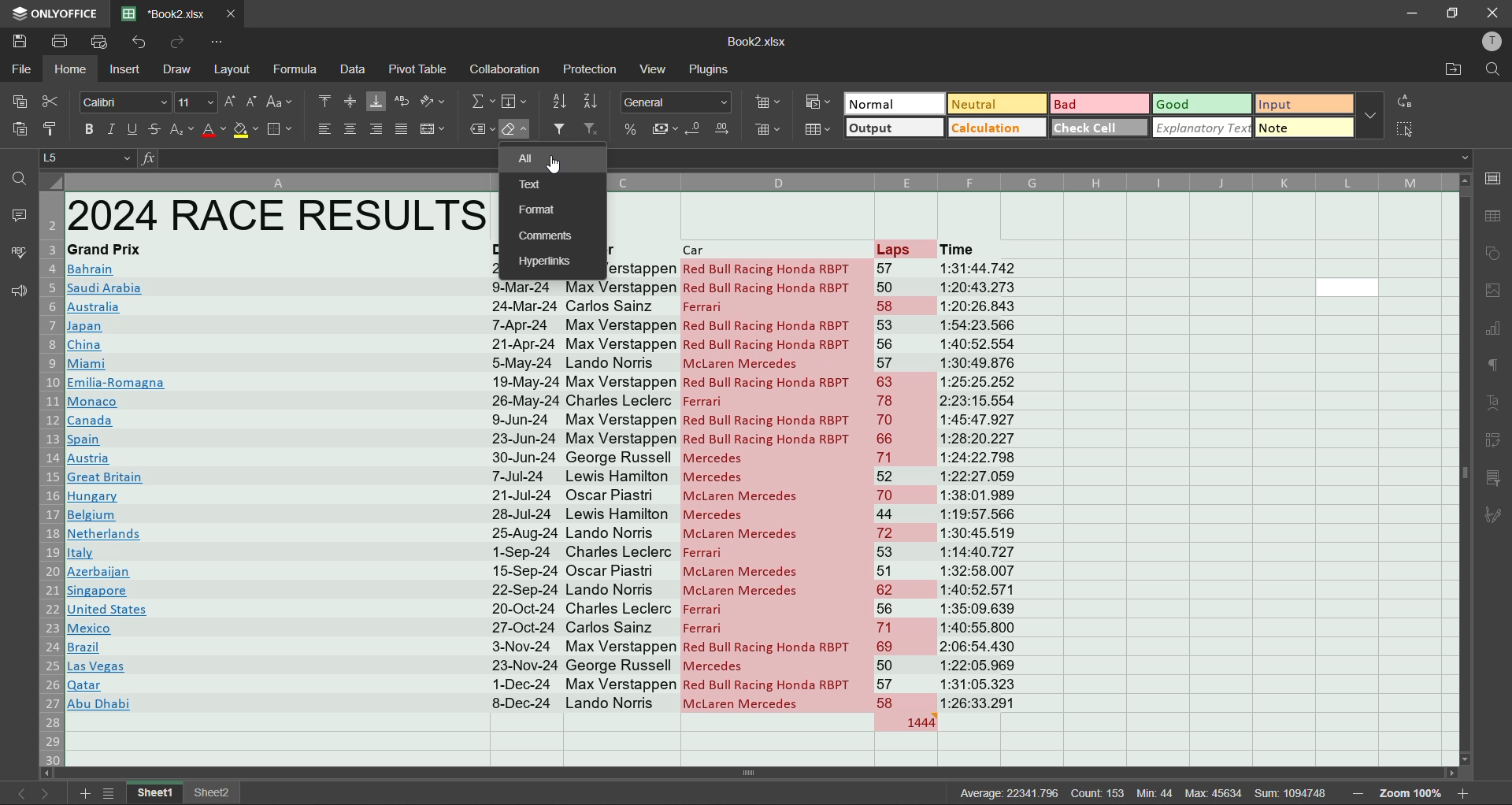  I want to click on sheet list, so click(114, 793).